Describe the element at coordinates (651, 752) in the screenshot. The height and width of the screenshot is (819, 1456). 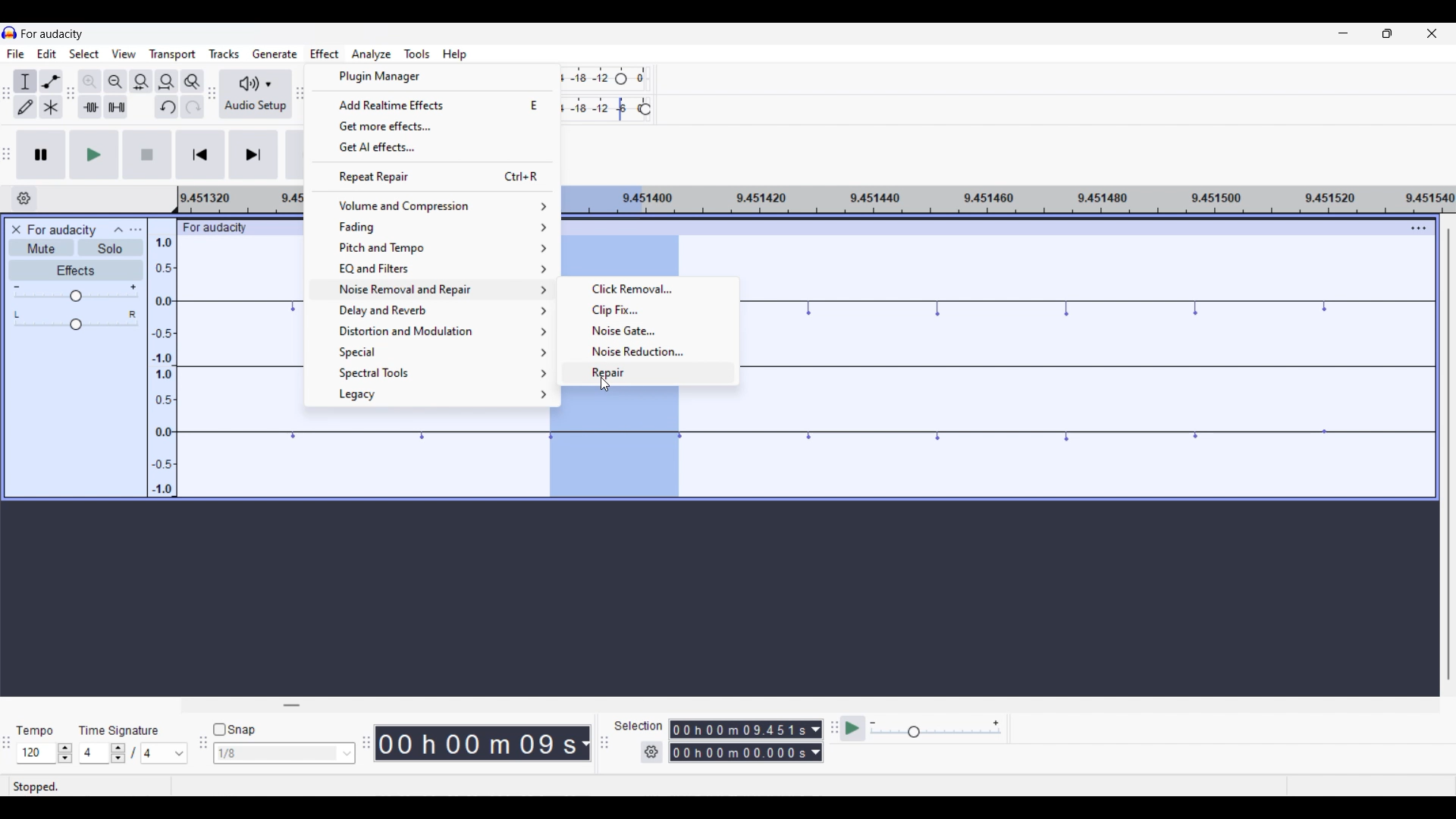
I see `Selection settings` at that location.